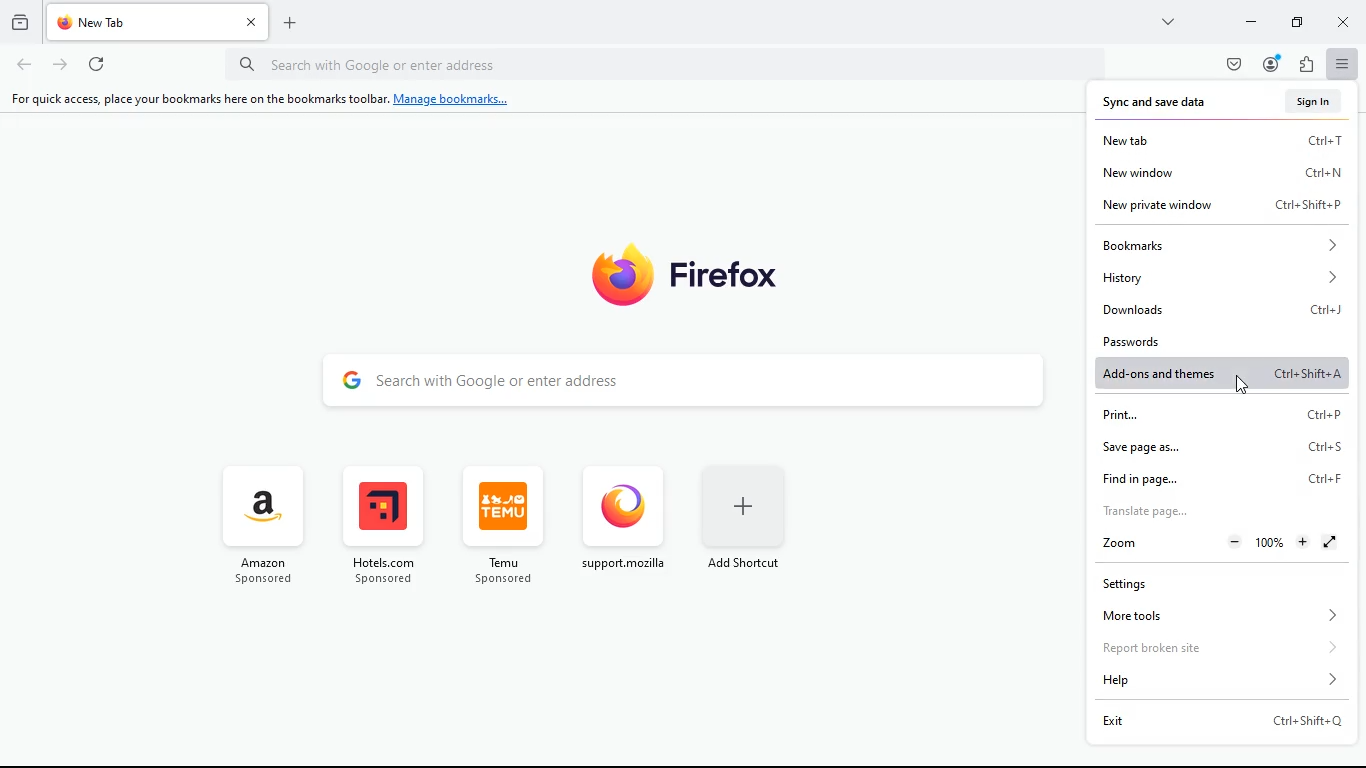  What do you see at coordinates (141, 22) in the screenshot?
I see `tab` at bounding box center [141, 22].